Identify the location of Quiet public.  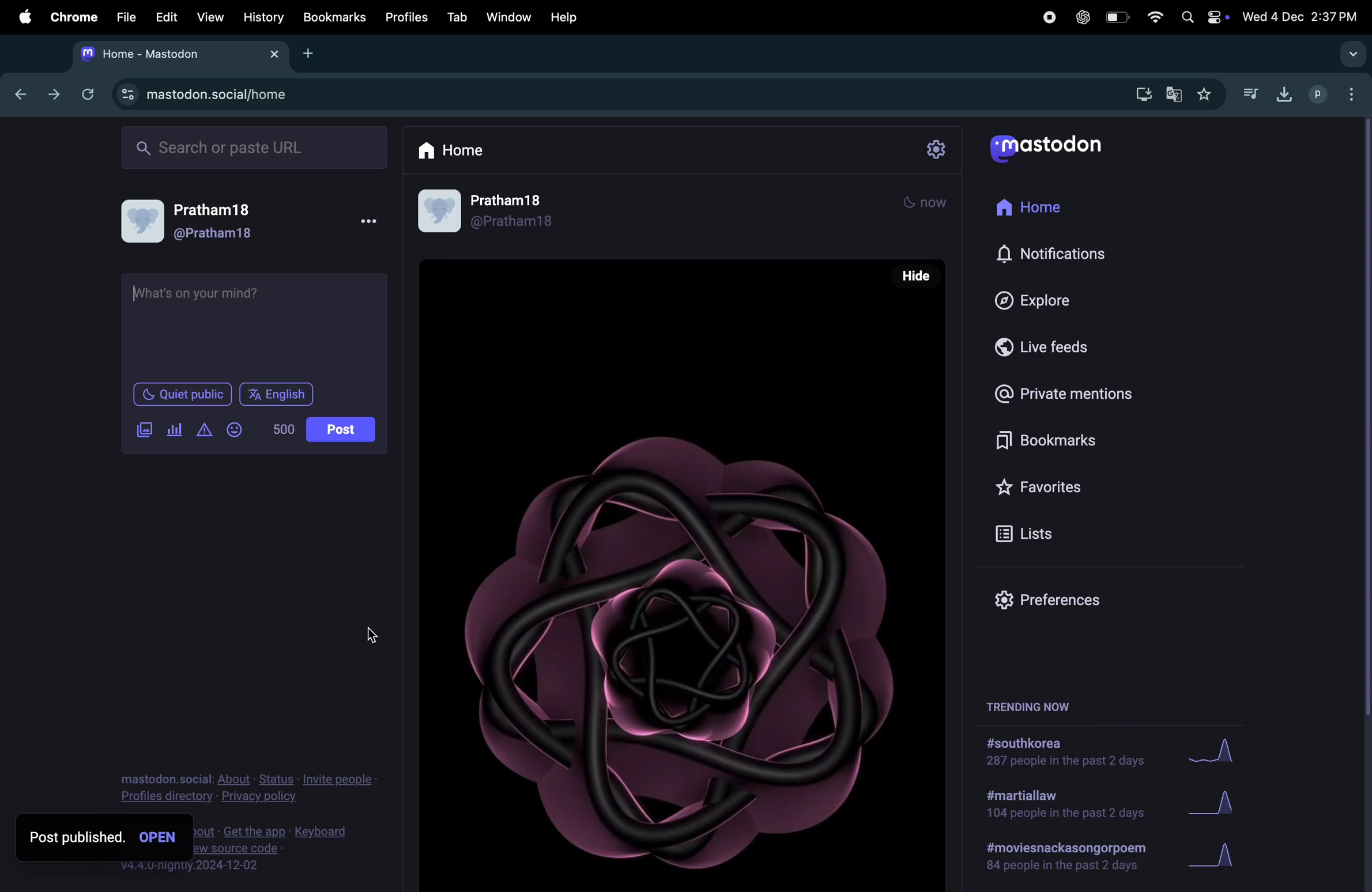
(182, 393).